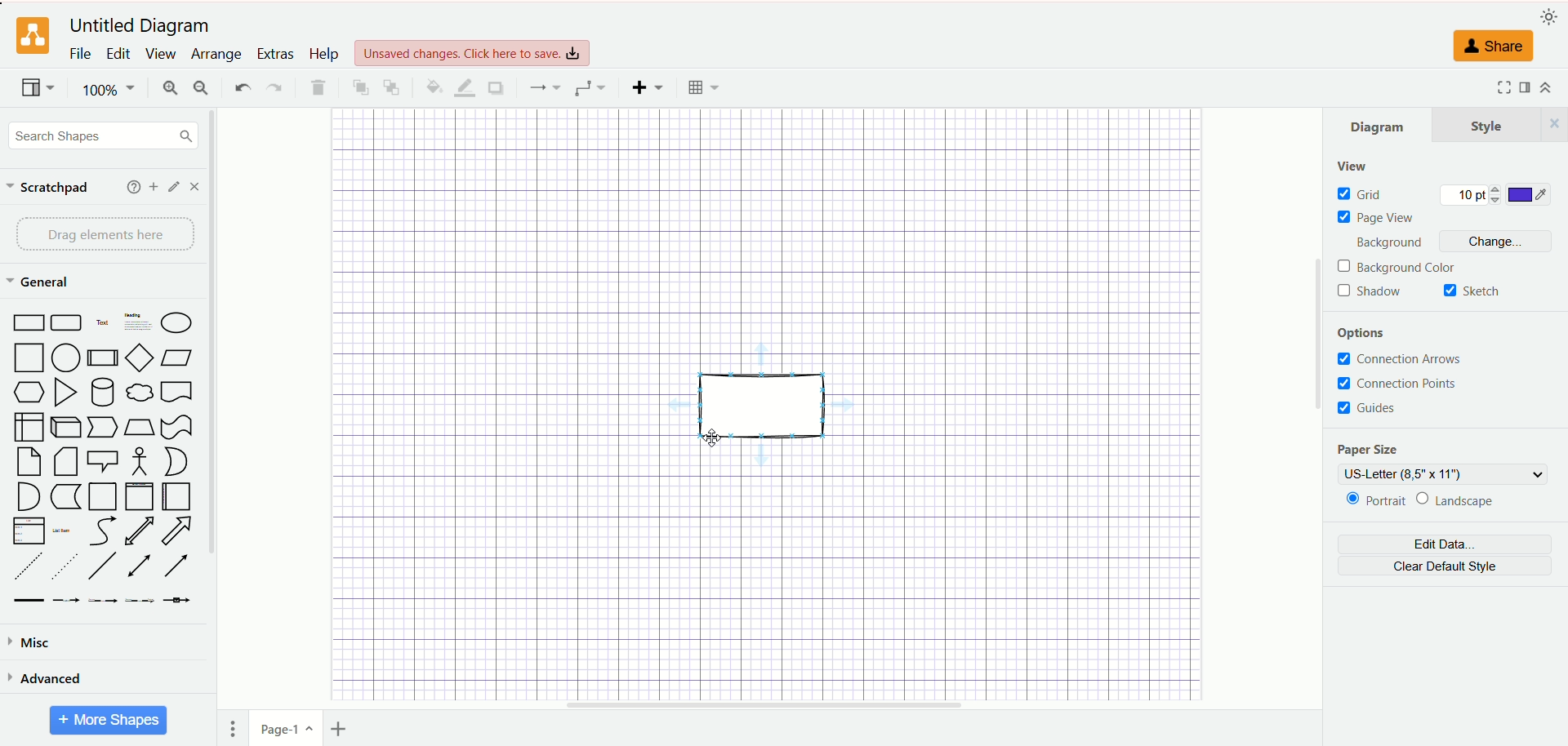  What do you see at coordinates (463, 88) in the screenshot?
I see `line color` at bounding box center [463, 88].